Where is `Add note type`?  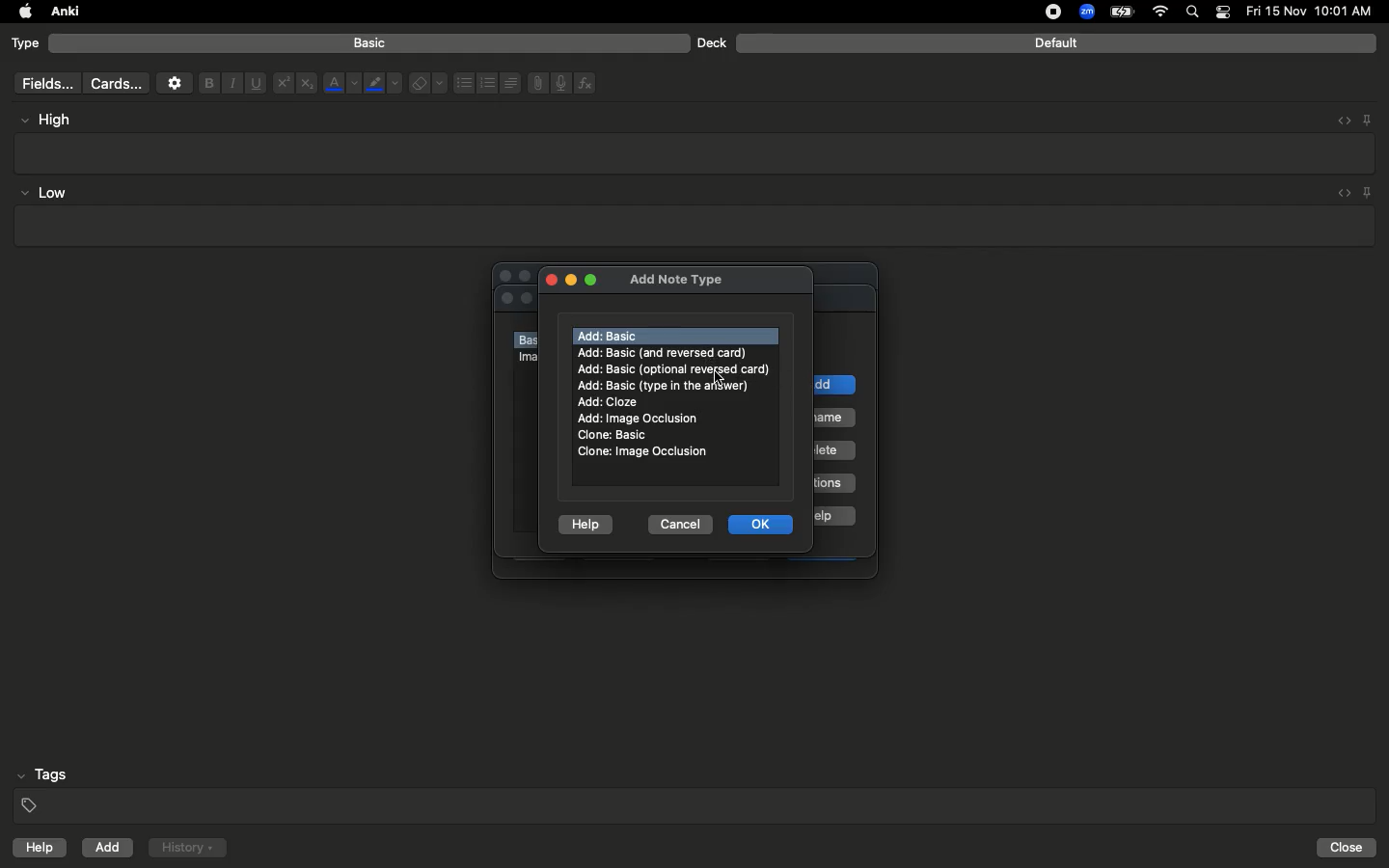 Add note type is located at coordinates (676, 277).